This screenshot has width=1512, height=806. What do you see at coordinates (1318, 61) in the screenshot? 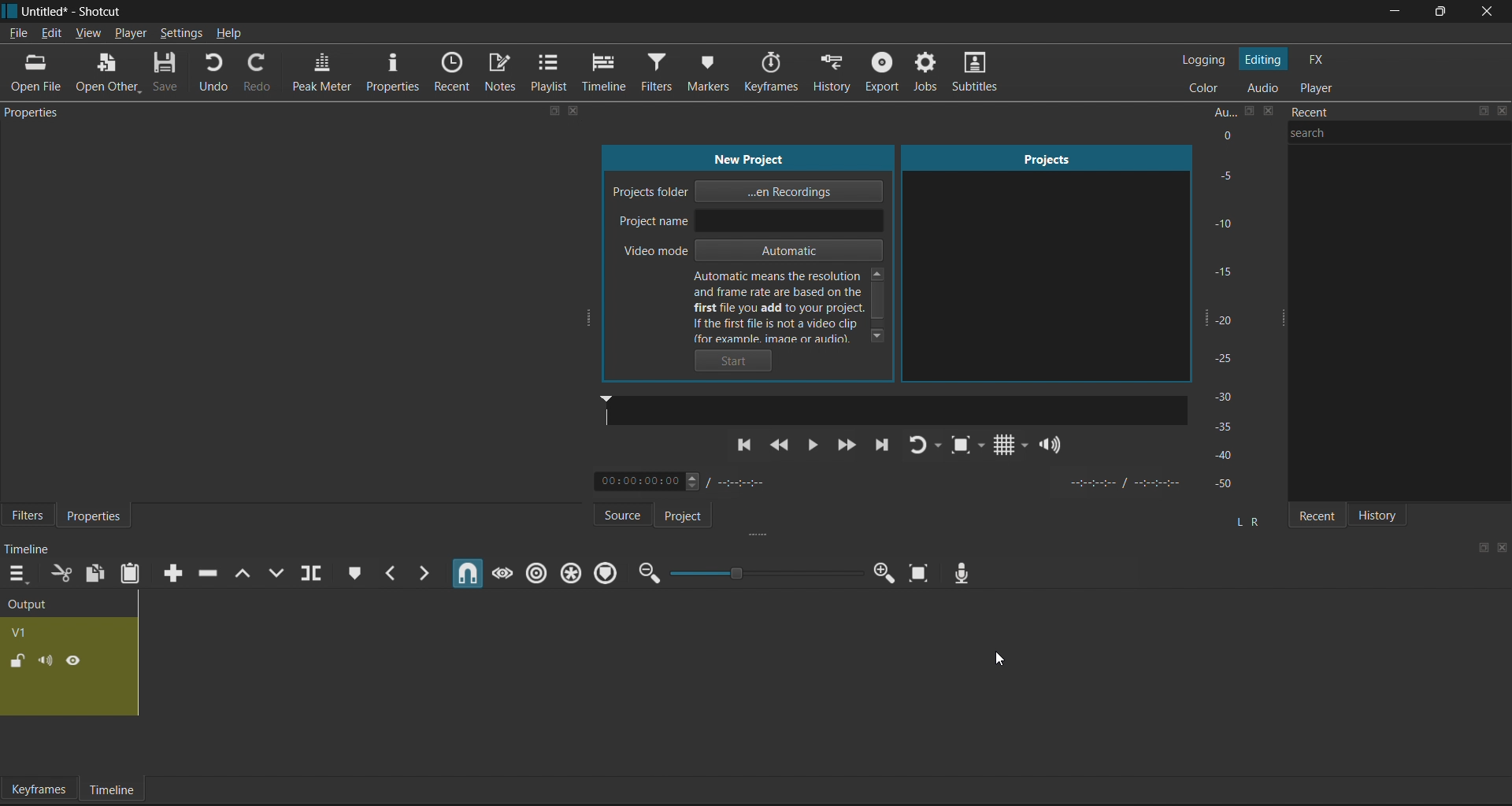
I see `FX` at bounding box center [1318, 61].